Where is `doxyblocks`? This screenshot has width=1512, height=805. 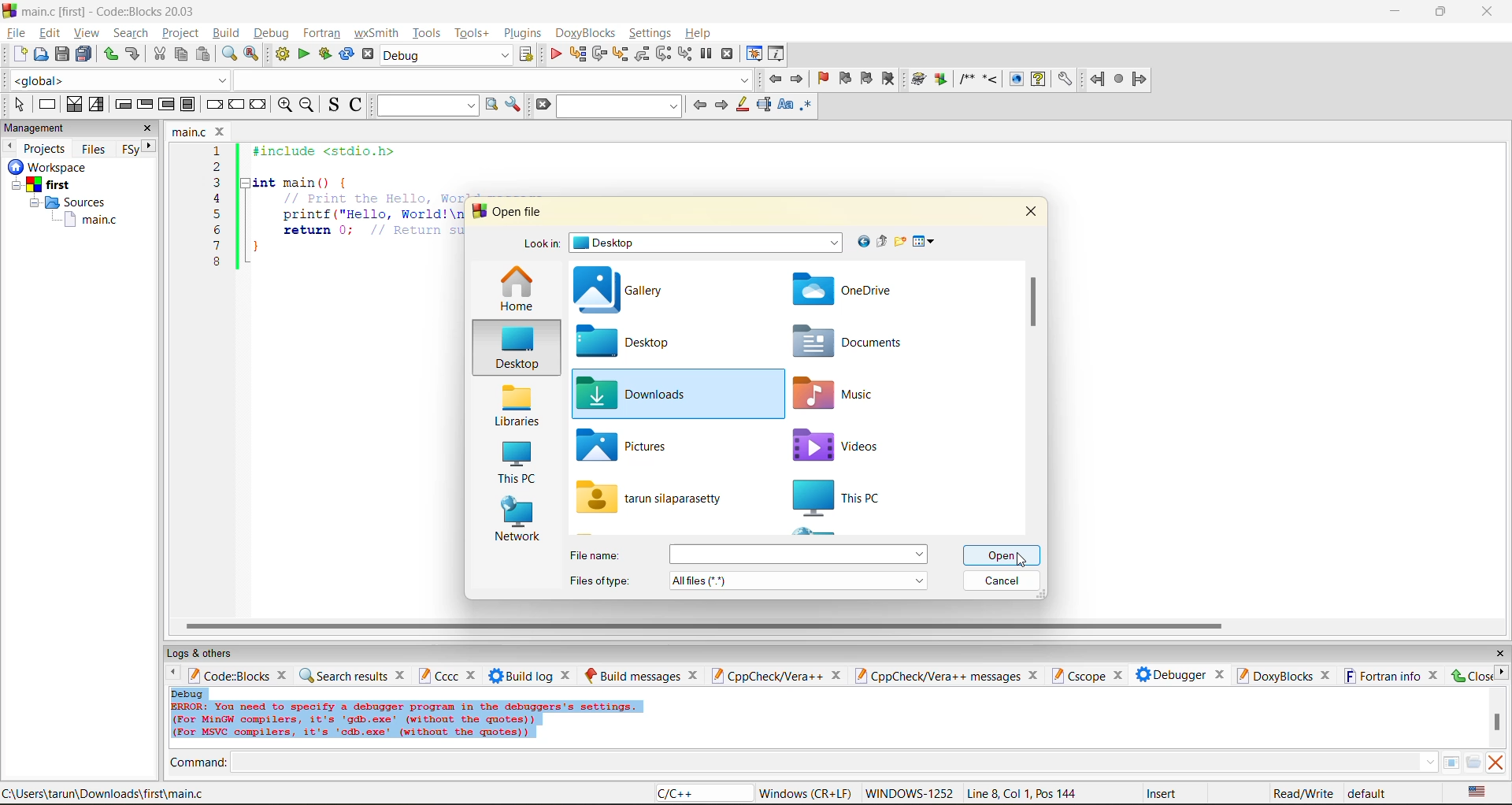
doxyblocks is located at coordinates (588, 33).